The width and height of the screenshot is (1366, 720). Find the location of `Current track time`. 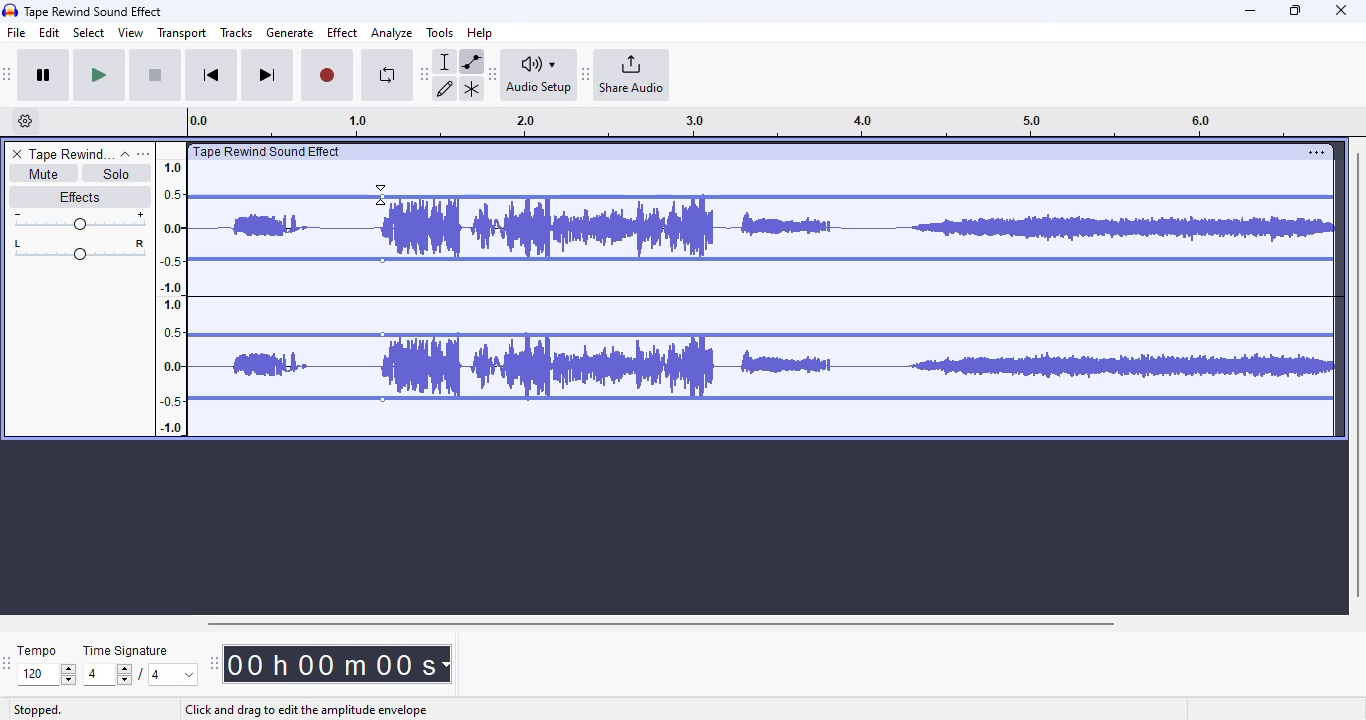

Current track time is located at coordinates (329, 664).